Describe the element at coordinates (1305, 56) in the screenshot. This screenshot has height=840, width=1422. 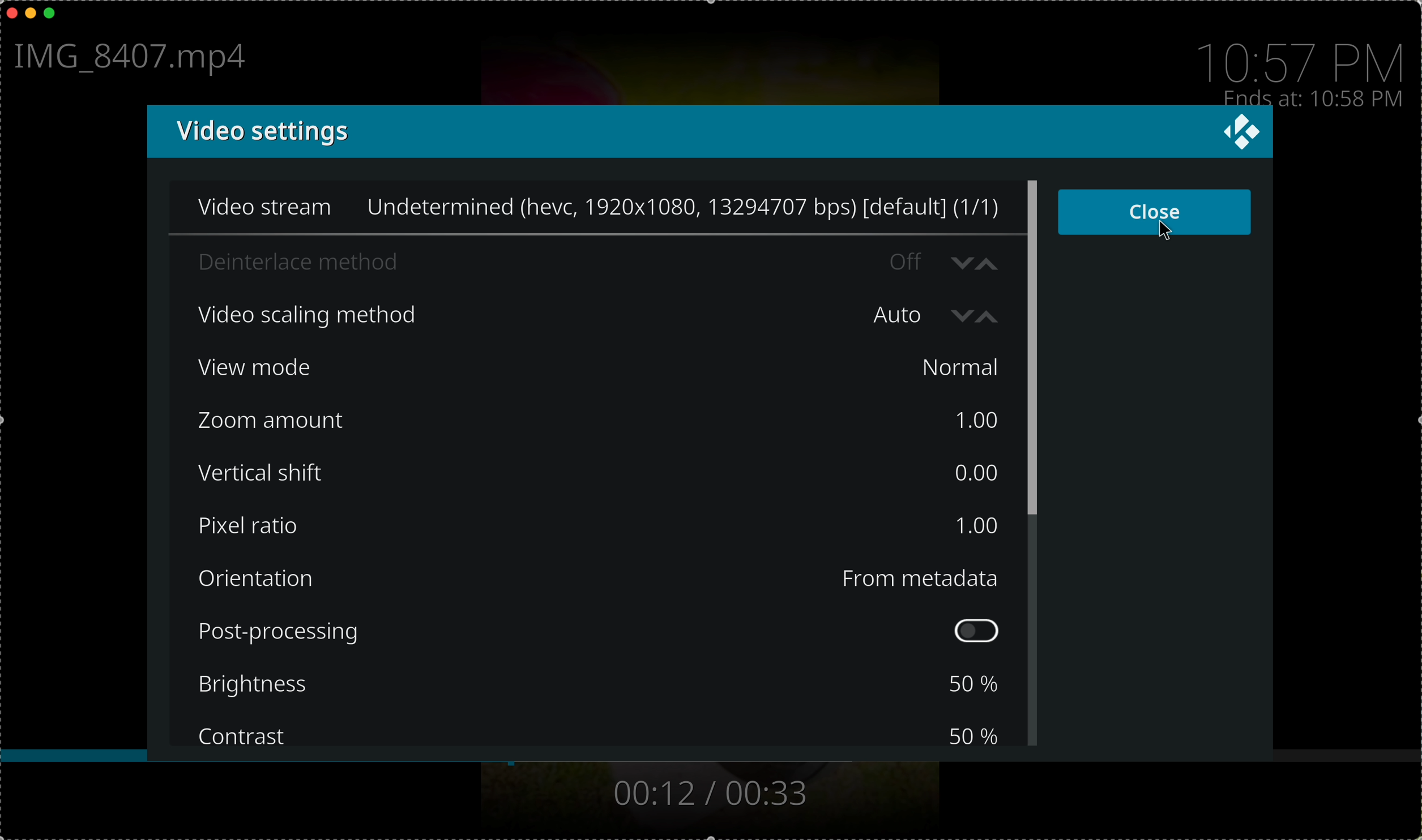
I see `10:57 PM` at that location.